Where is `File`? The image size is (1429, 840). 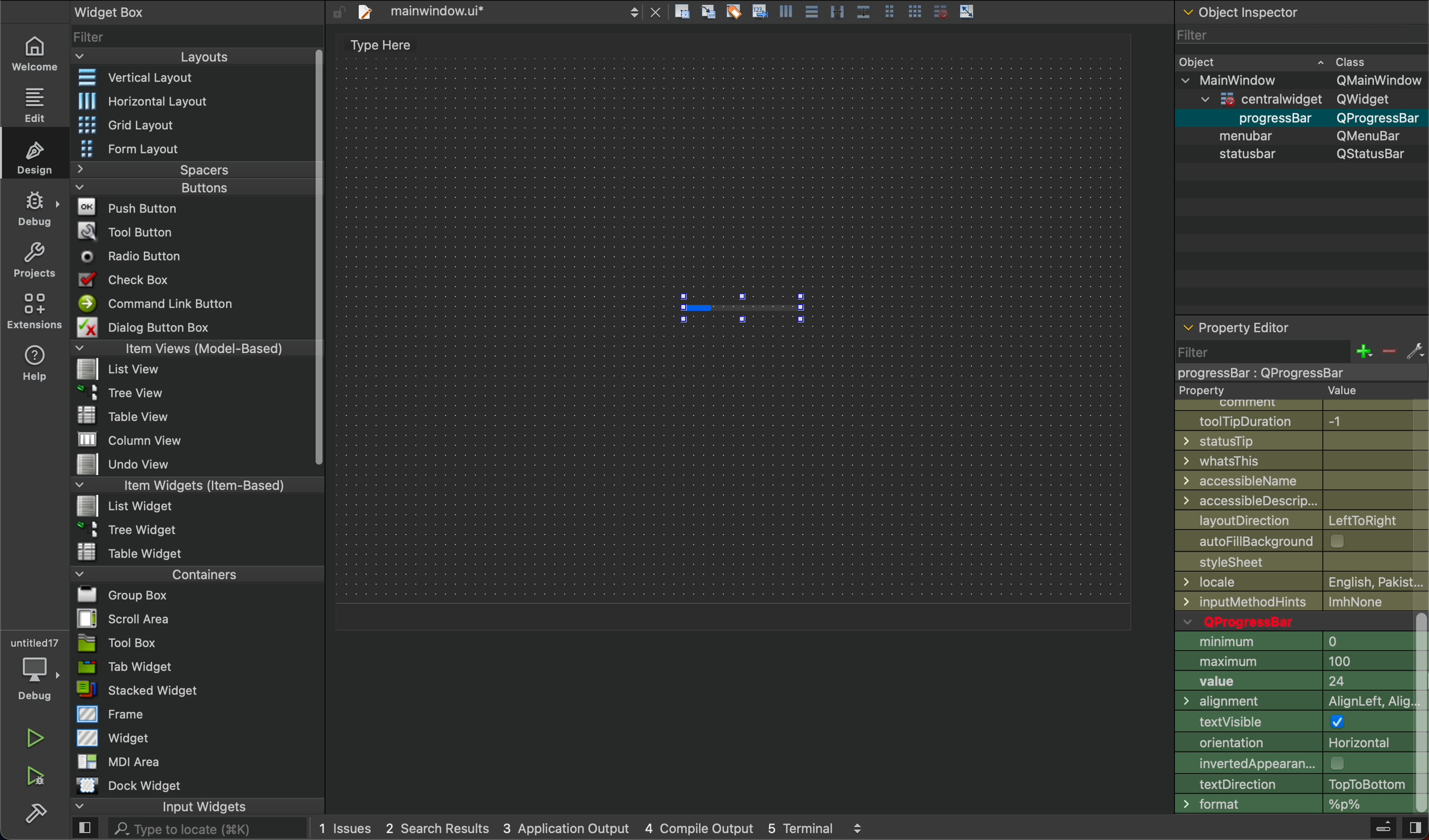
File is located at coordinates (131, 528).